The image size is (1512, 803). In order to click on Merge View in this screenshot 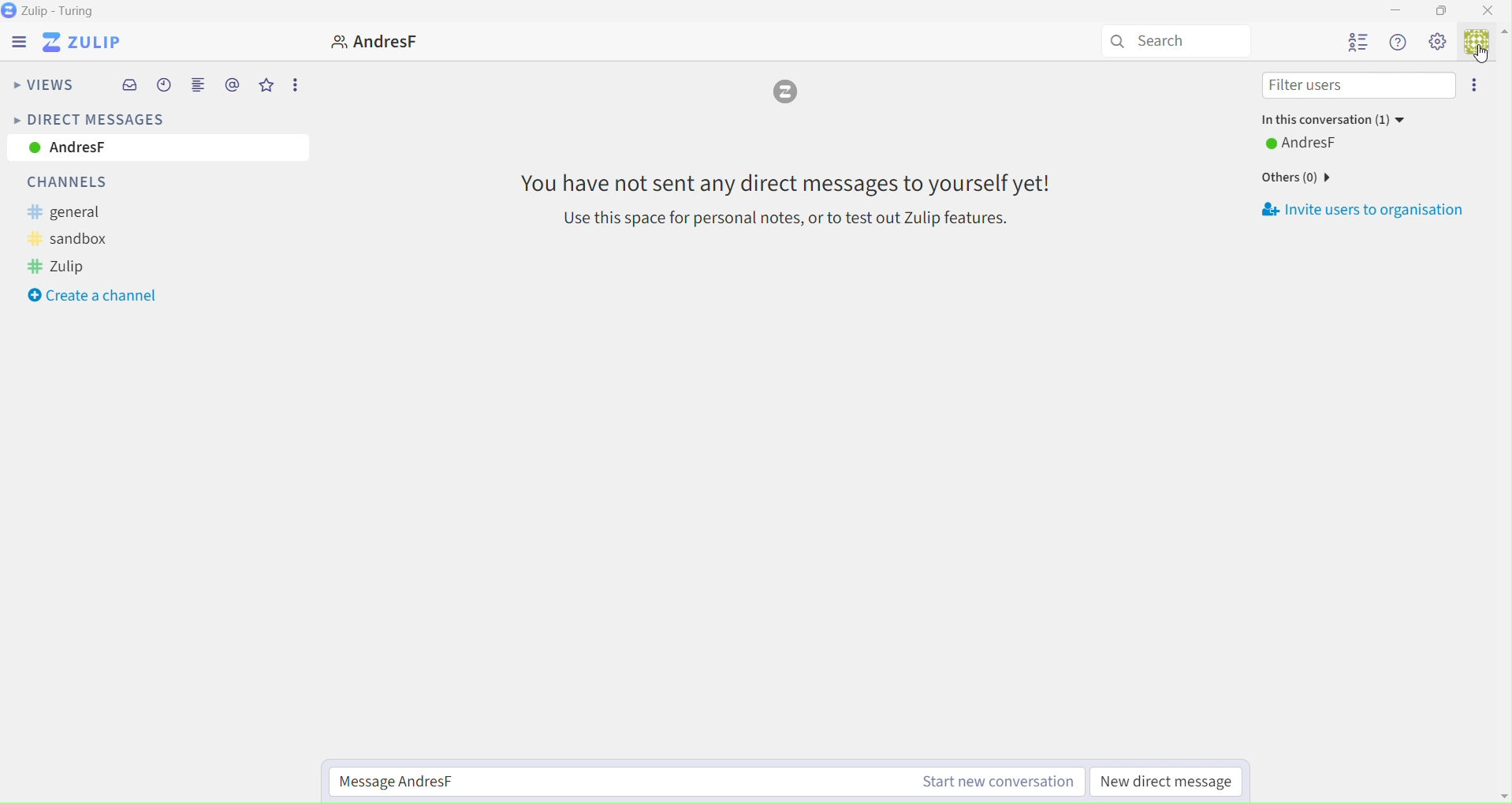, I will do `click(198, 88)`.